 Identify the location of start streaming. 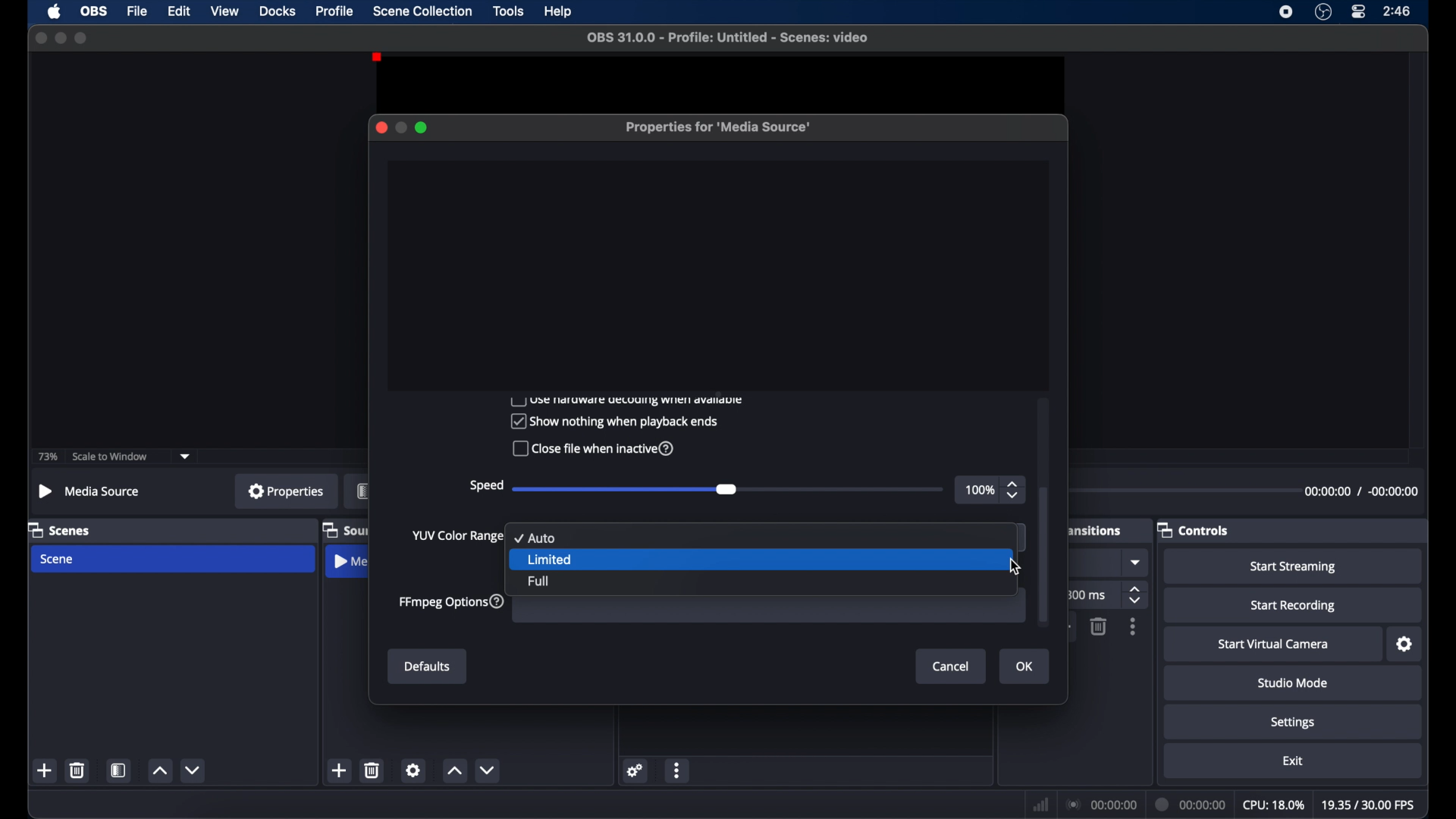
(1294, 567).